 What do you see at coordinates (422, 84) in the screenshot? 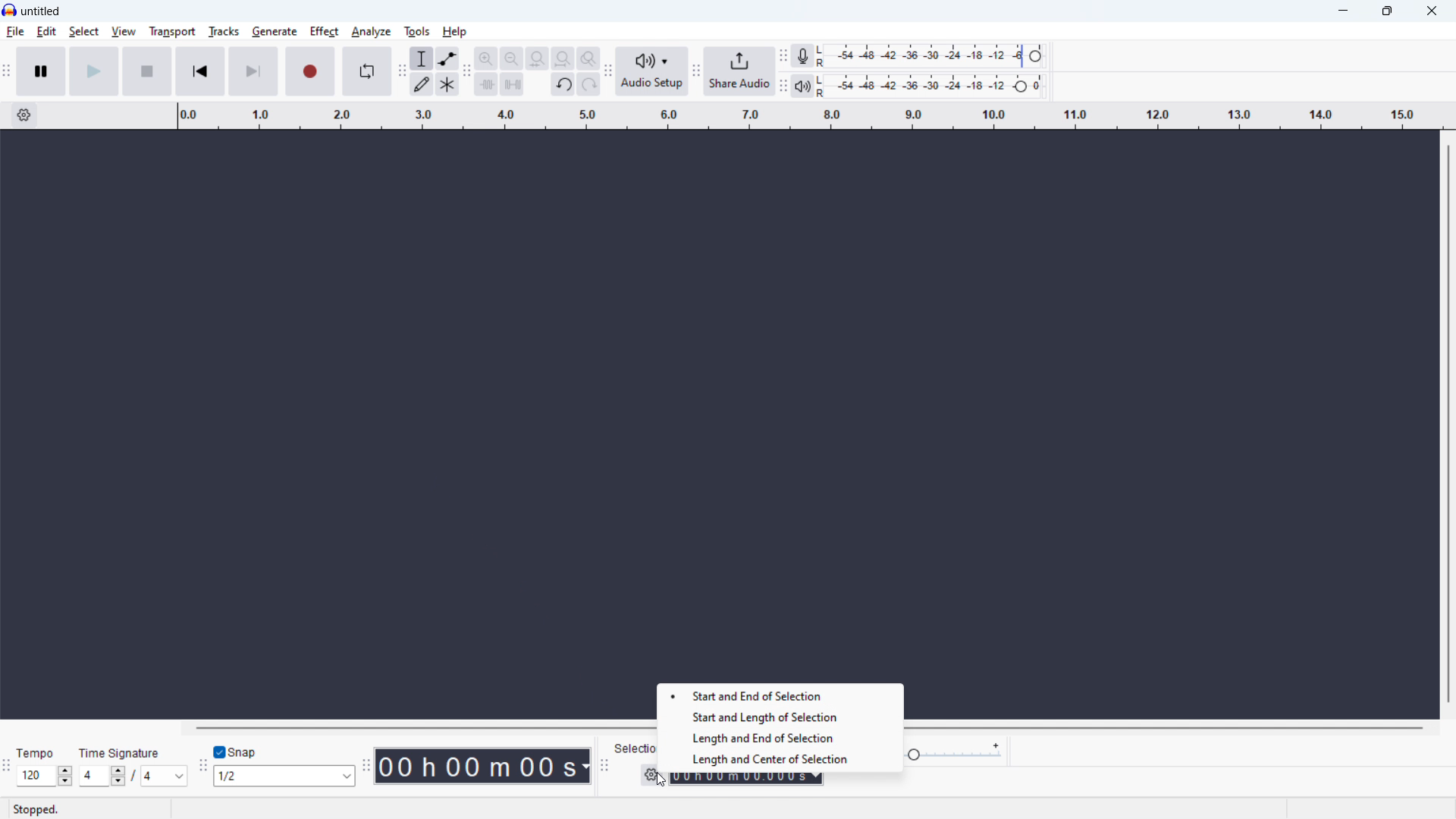
I see `draw tool` at bounding box center [422, 84].